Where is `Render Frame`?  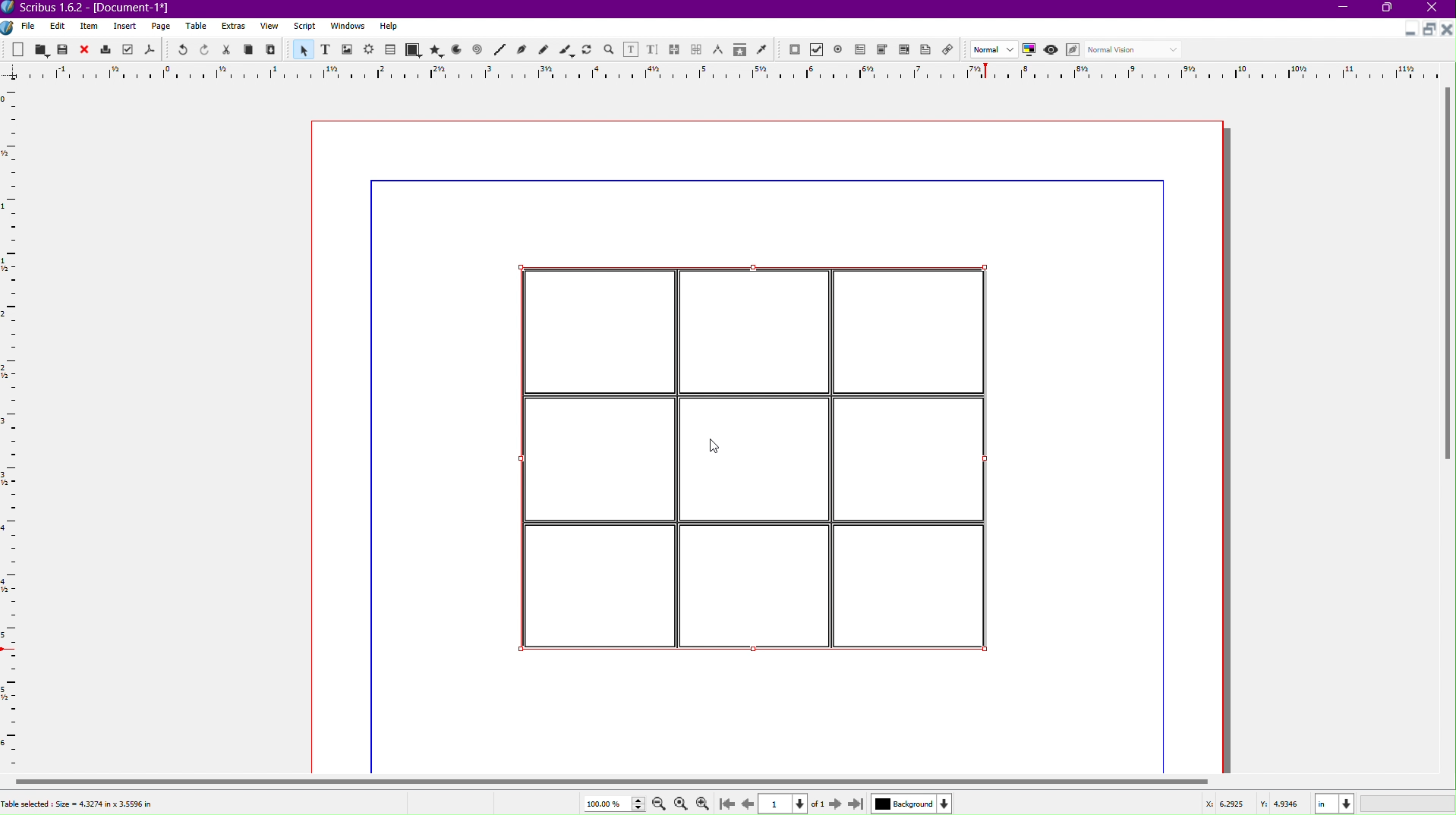 Render Frame is located at coordinates (370, 49).